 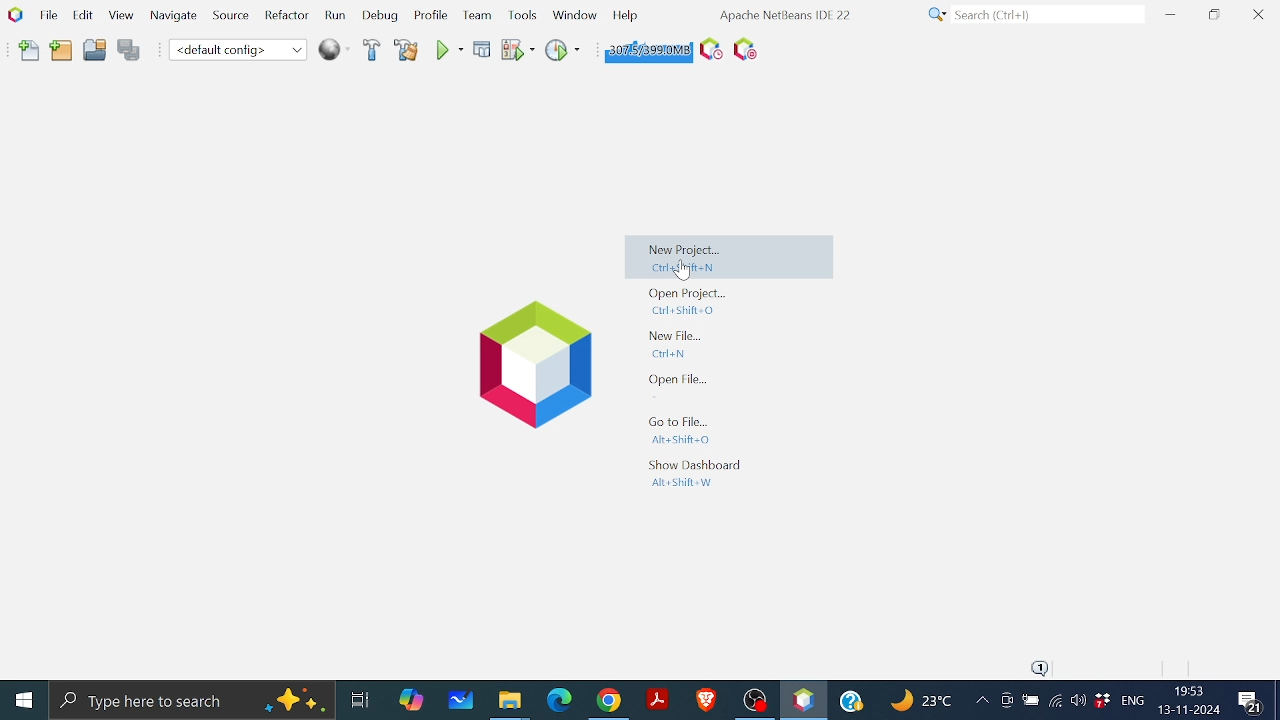 What do you see at coordinates (62, 52) in the screenshot?
I see `Add folder` at bounding box center [62, 52].